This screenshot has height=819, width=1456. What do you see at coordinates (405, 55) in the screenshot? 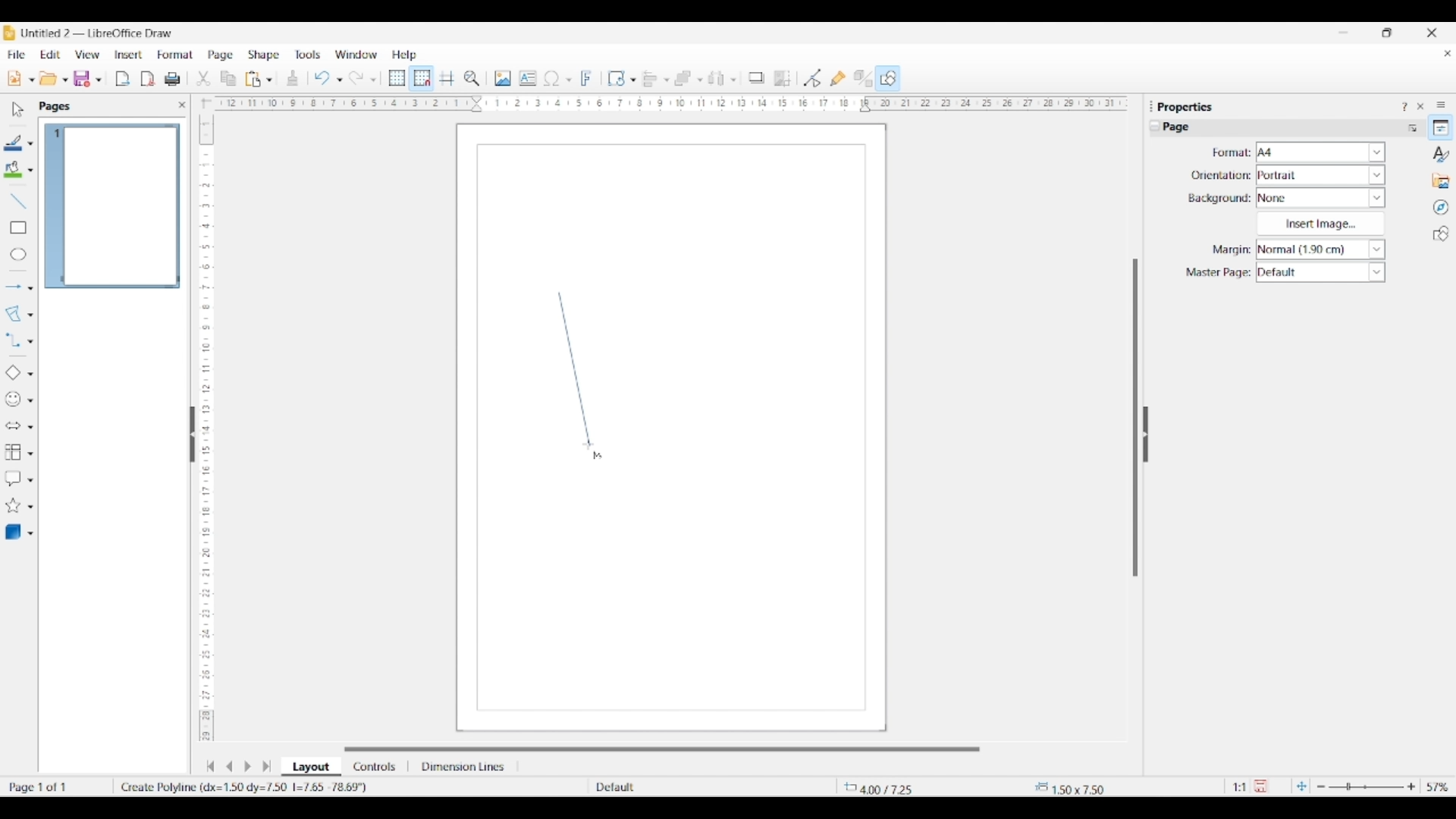
I see `Help` at bounding box center [405, 55].